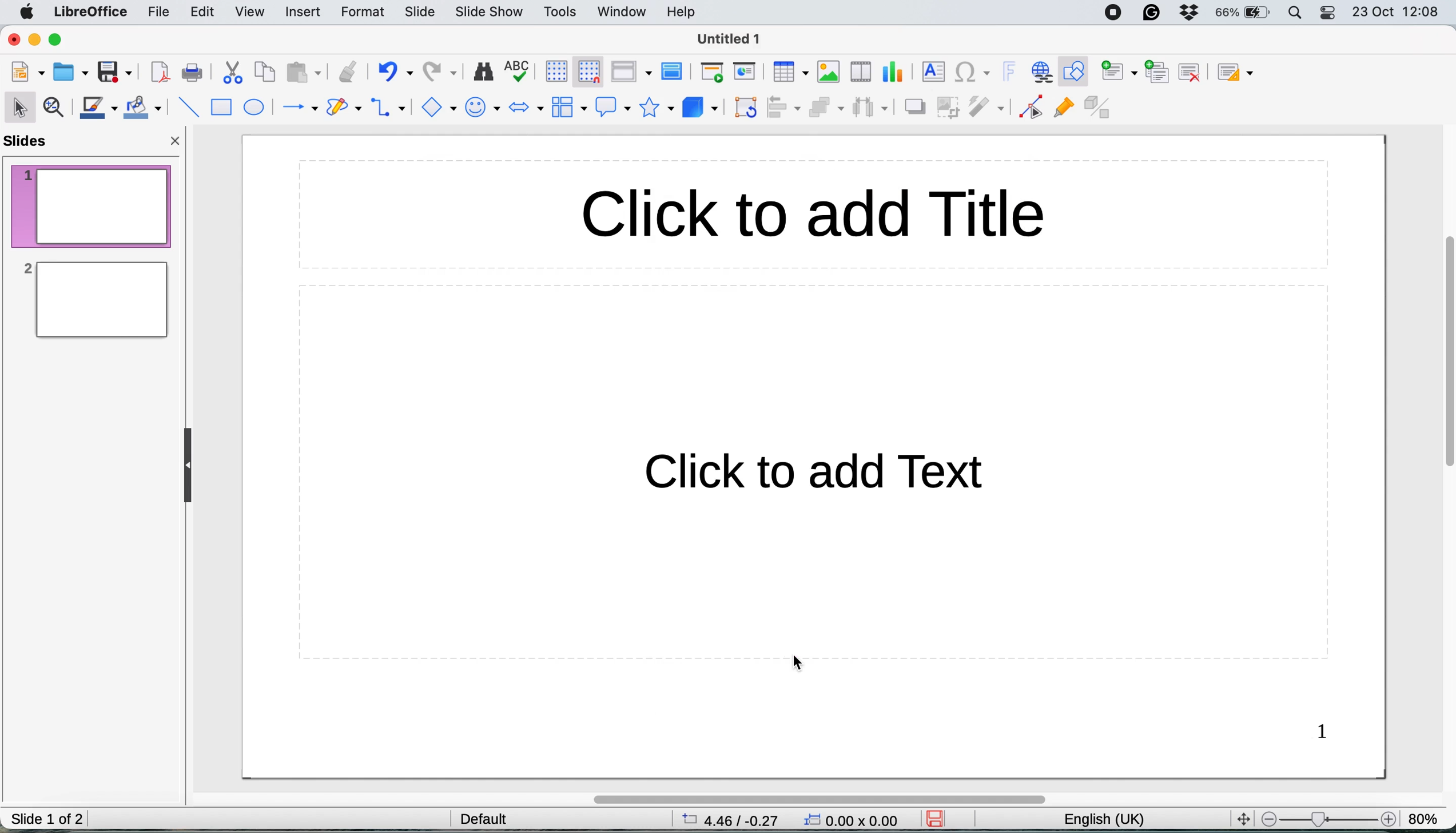 The width and height of the screenshot is (1456, 833). Describe the element at coordinates (177, 144) in the screenshot. I see `close` at that location.